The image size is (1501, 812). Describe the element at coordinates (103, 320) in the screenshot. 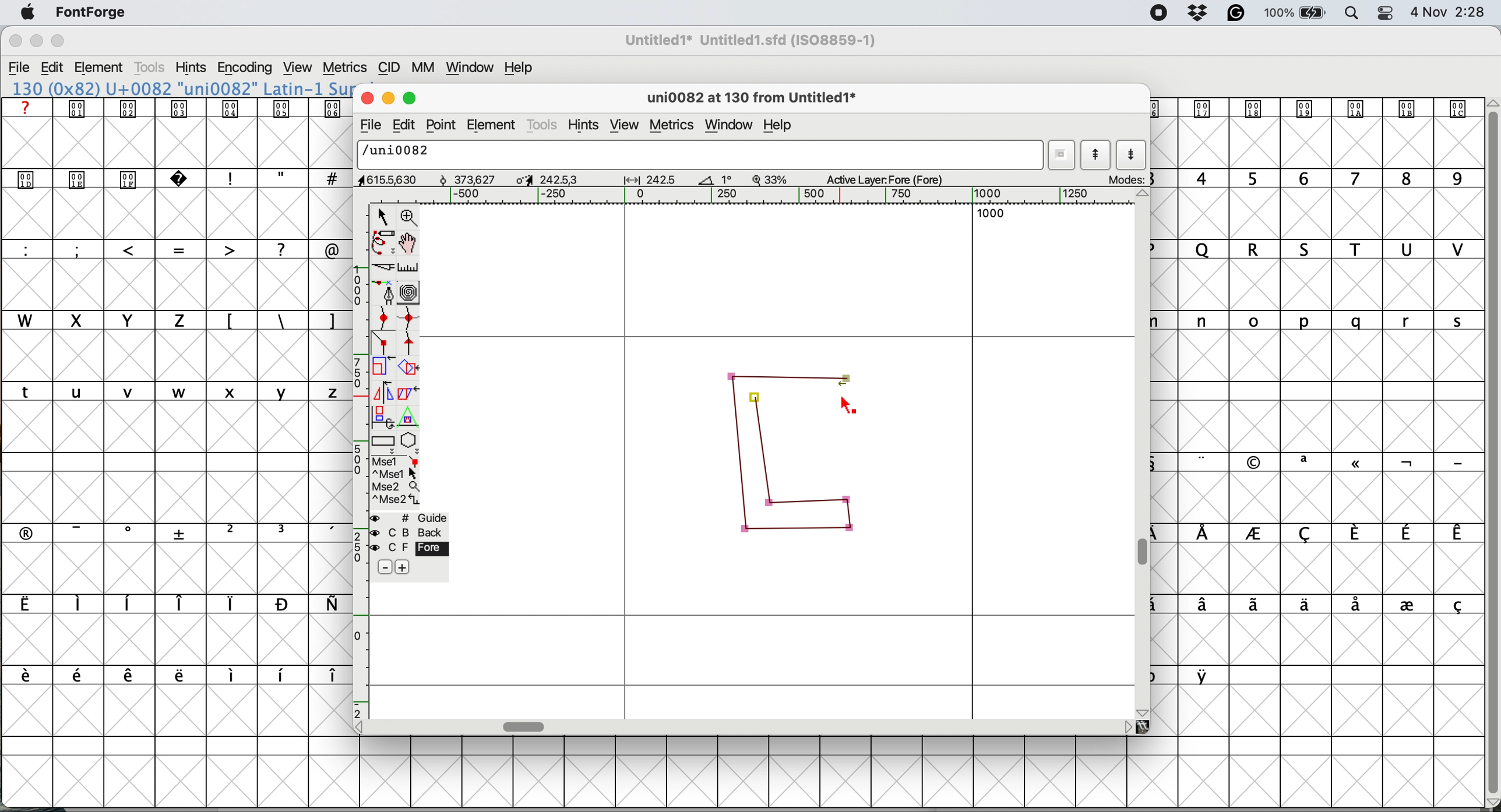

I see `uppercase letters` at that location.